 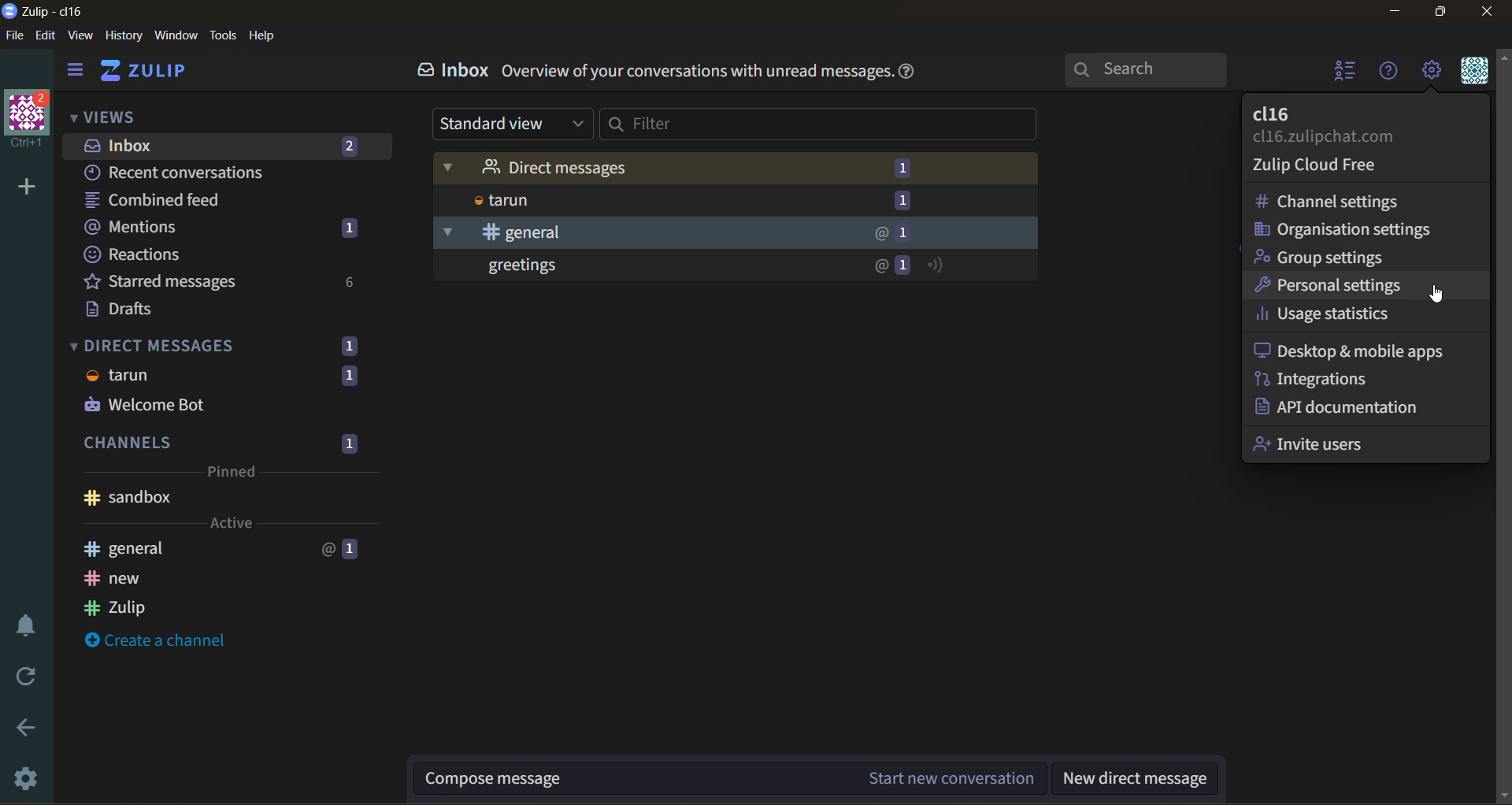 What do you see at coordinates (1349, 203) in the screenshot?
I see `channel settings` at bounding box center [1349, 203].